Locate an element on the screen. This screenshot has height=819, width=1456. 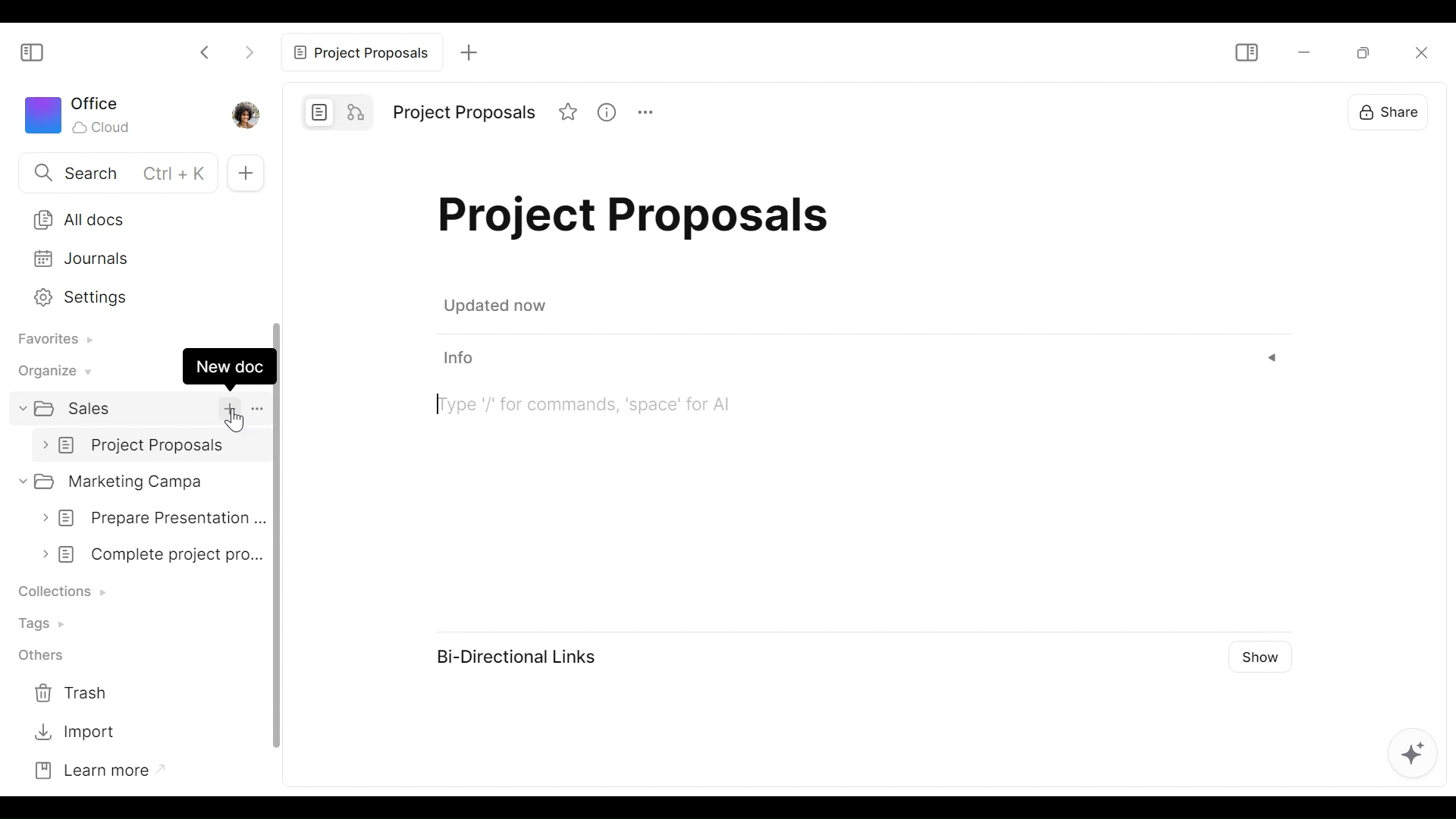
Click to go back is located at coordinates (206, 51).